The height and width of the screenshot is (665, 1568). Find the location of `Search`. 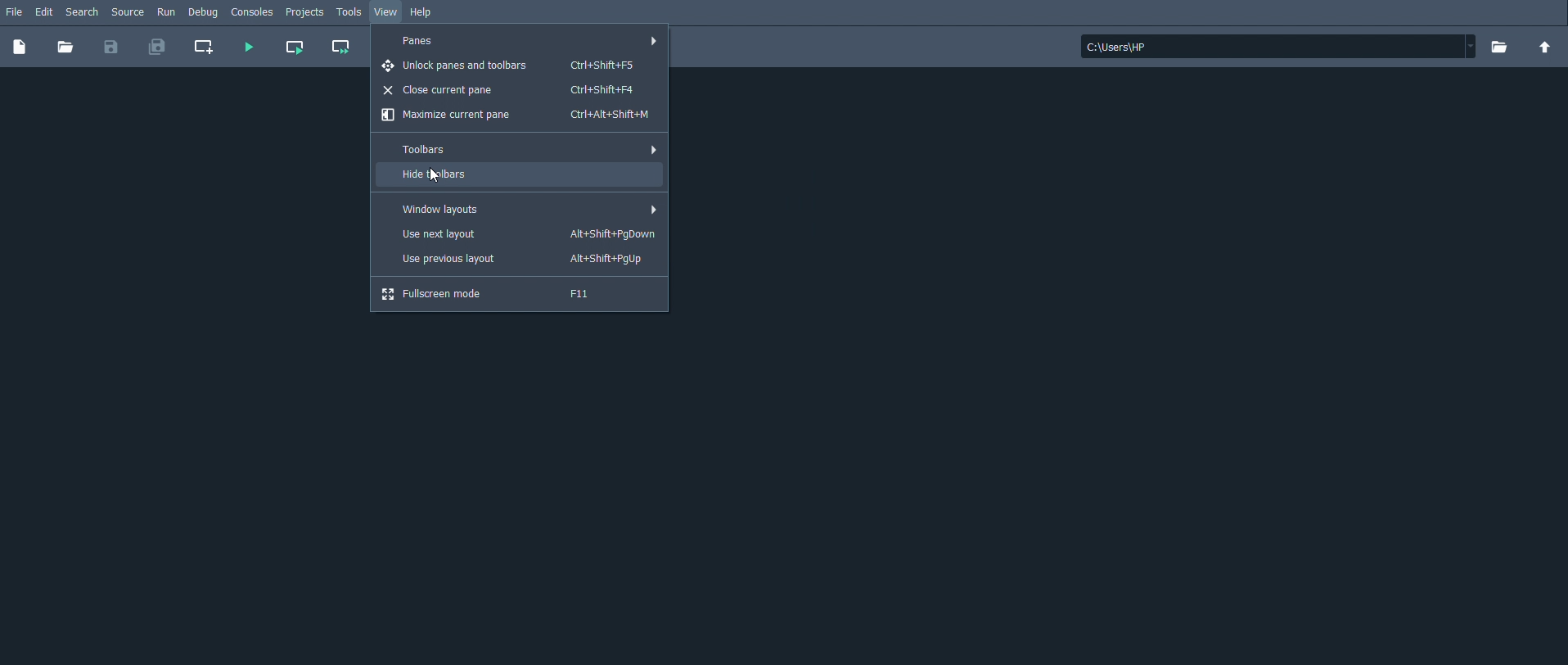

Search is located at coordinates (86, 13).